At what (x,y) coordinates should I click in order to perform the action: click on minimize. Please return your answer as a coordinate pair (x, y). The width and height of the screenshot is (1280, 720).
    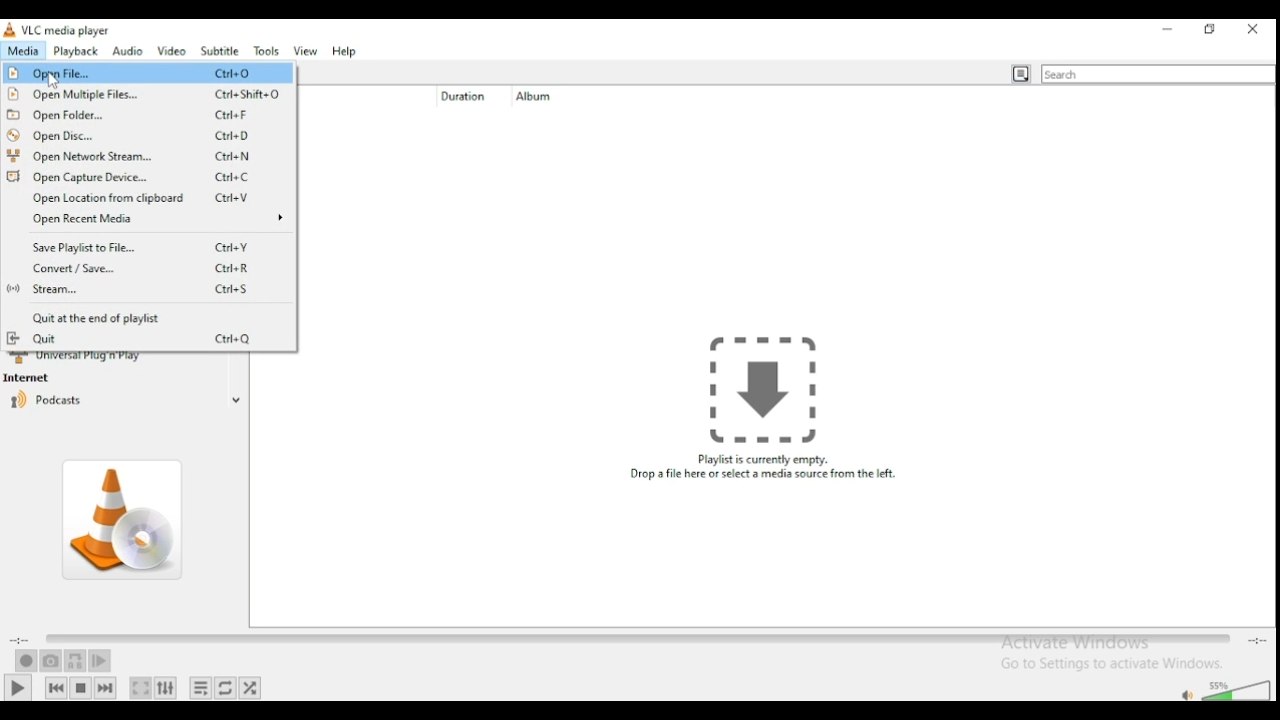
    Looking at the image, I should click on (1165, 30).